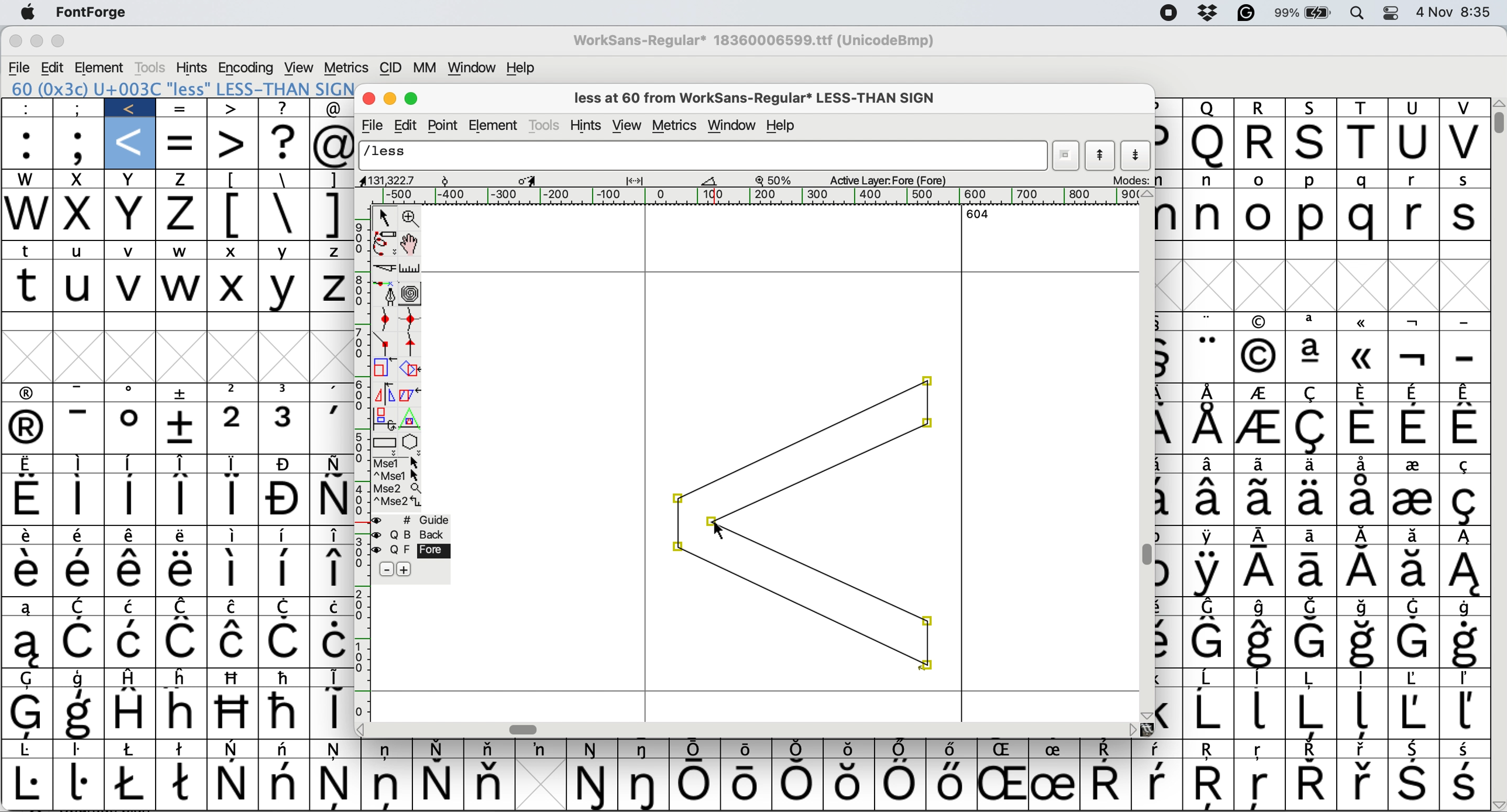 This screenshot has width=1507, height=812. Describe the element at coordinates (1054, 749) in the screenshot. I see `Symbol` at that location.